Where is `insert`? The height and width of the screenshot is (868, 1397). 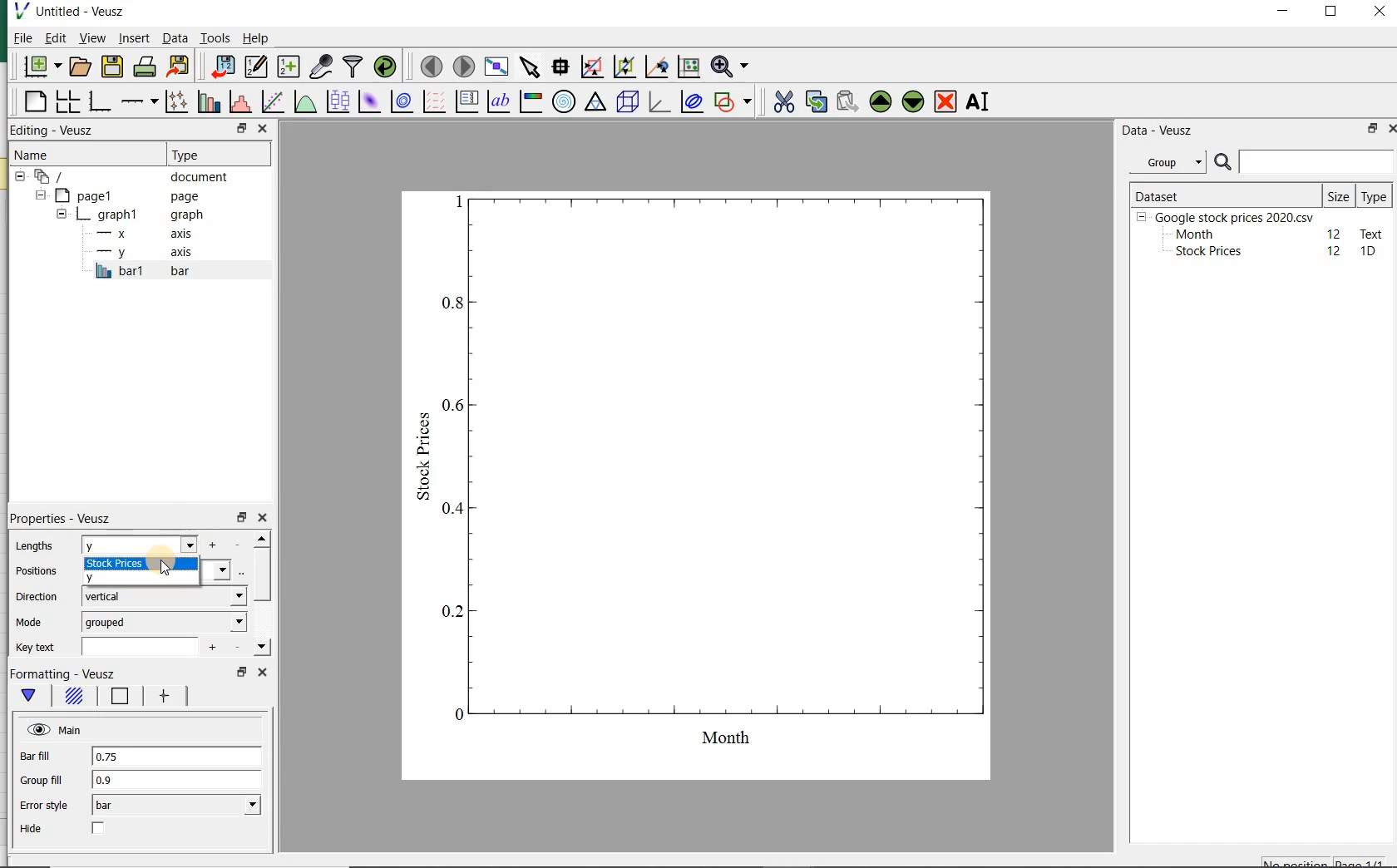 insert is located at coordinates (134, 39).